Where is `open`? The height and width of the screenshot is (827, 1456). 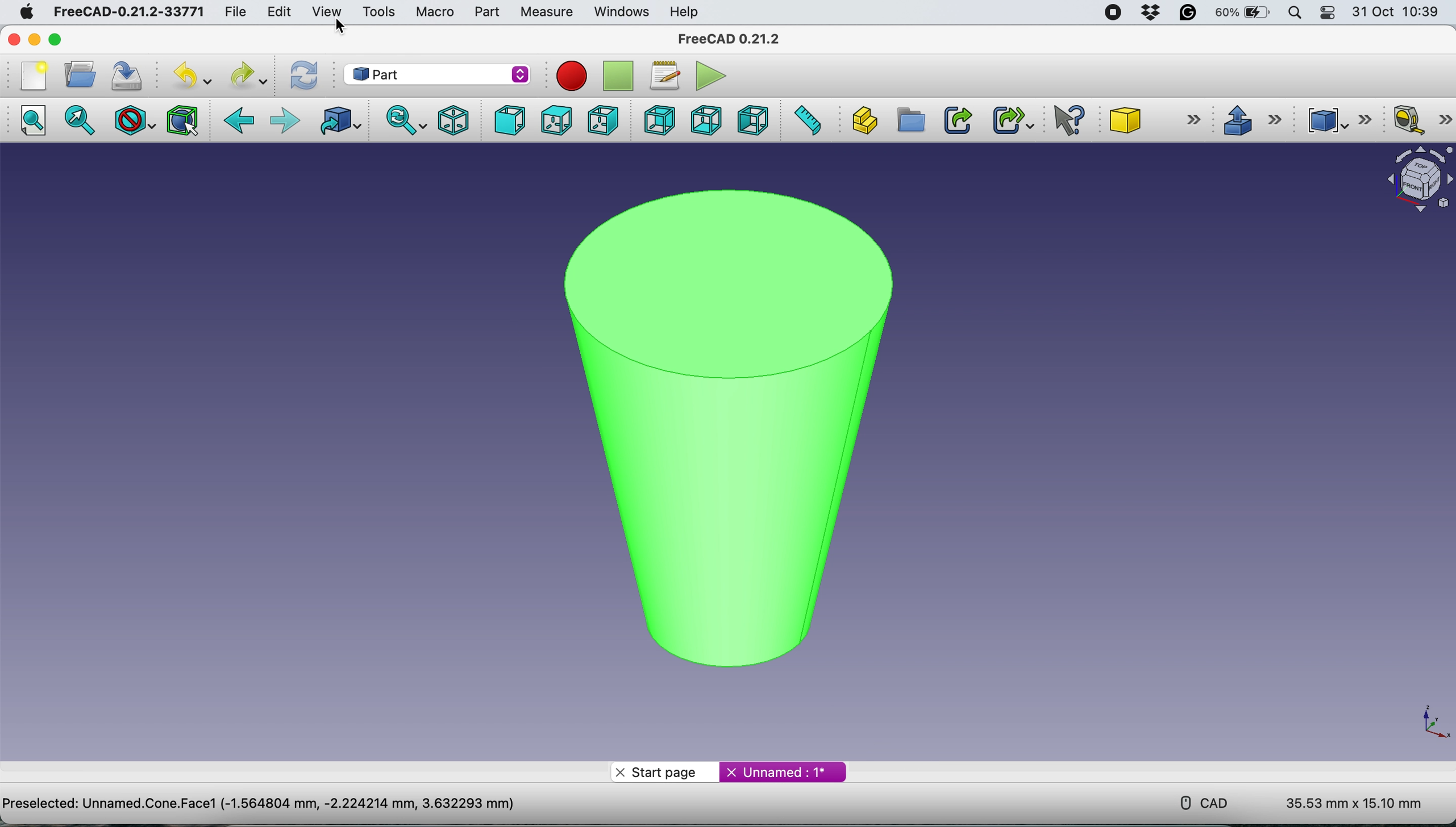 open is located at coordinates (77, 74).